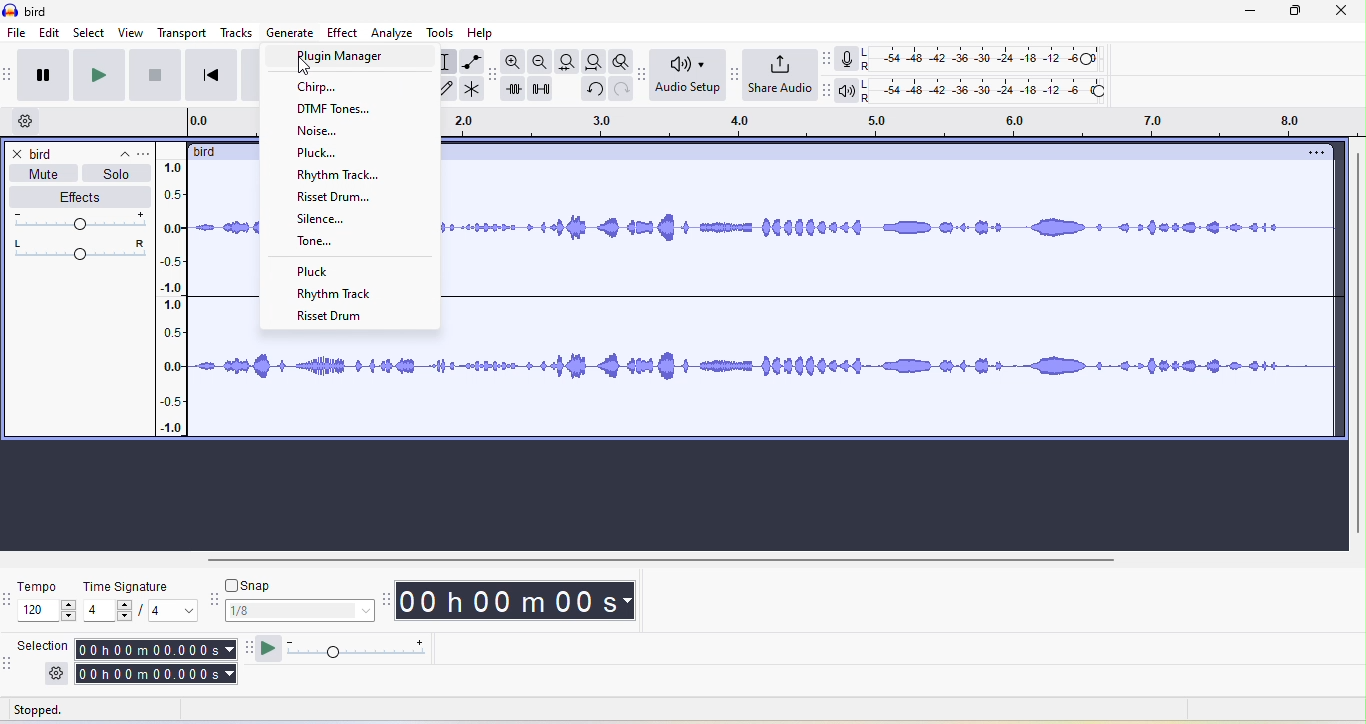 This screenshot has width=1366, height=724. Describe the element at coordinates (133, 35) in the screenshot. I see `view` at that location.